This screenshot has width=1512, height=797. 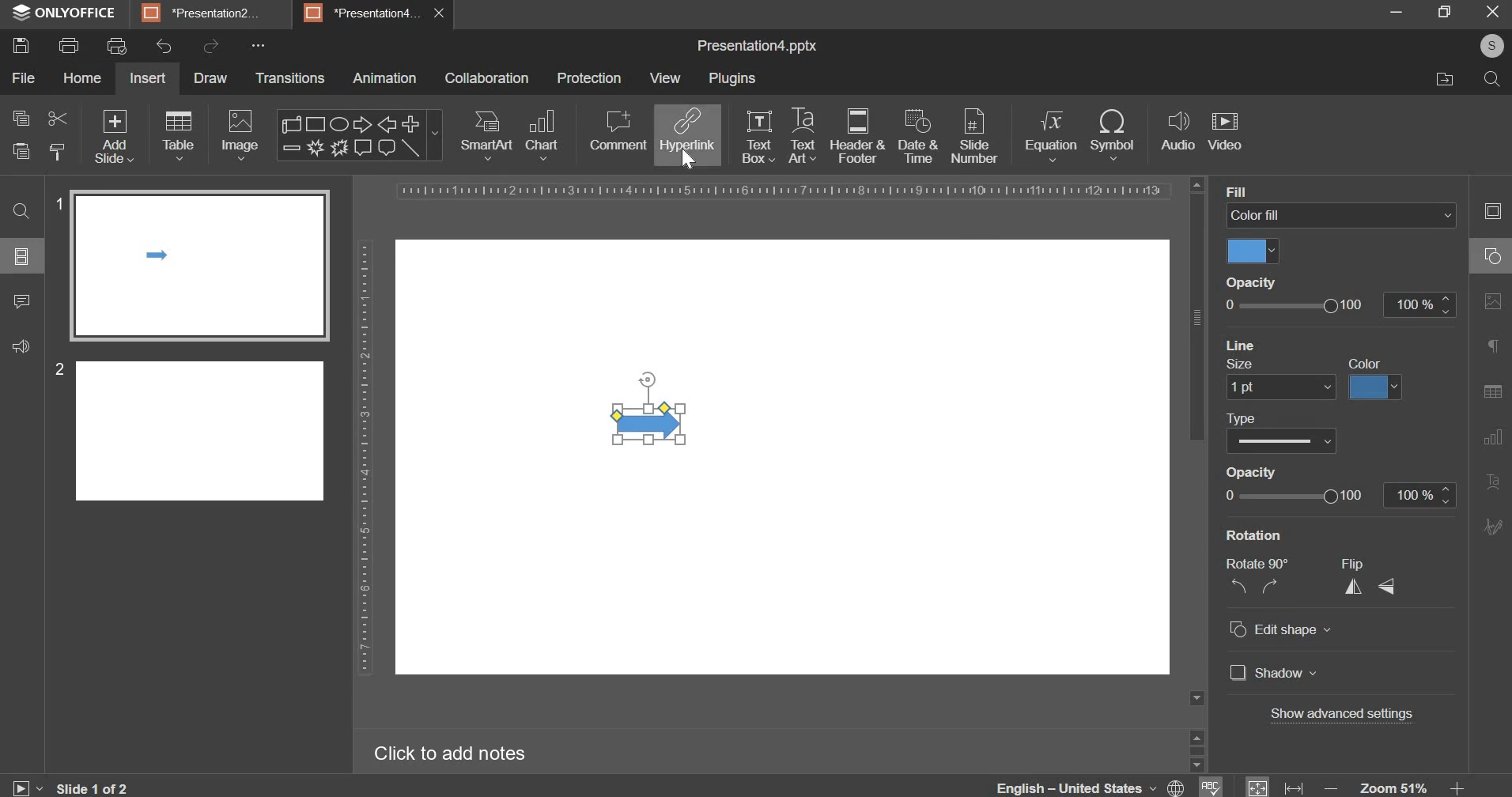 I want to click on language, so click(x=1091, y=784).